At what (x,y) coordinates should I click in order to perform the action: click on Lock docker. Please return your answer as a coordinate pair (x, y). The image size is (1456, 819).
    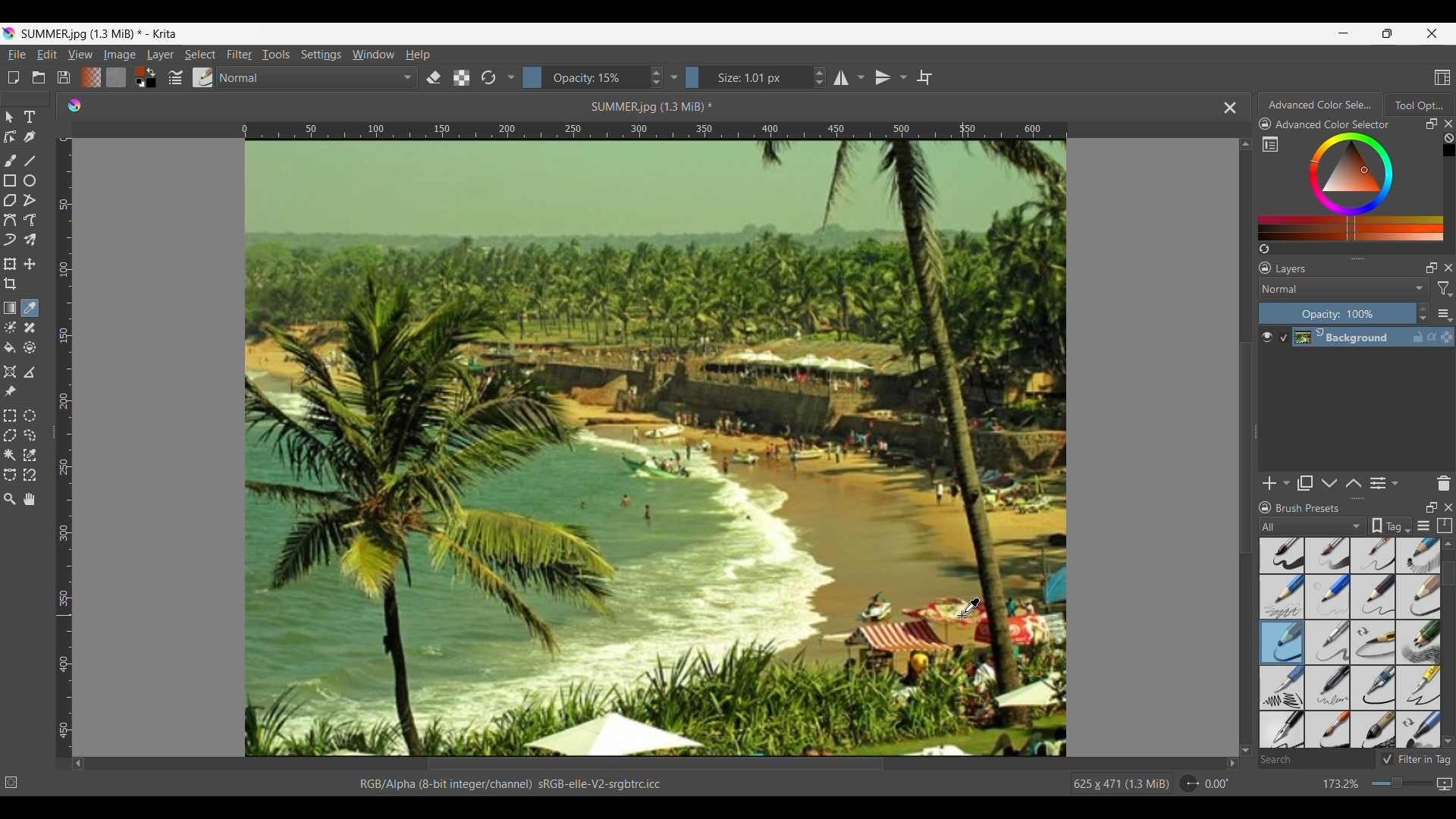
    Looking at the image, I should click on (1264, 268).